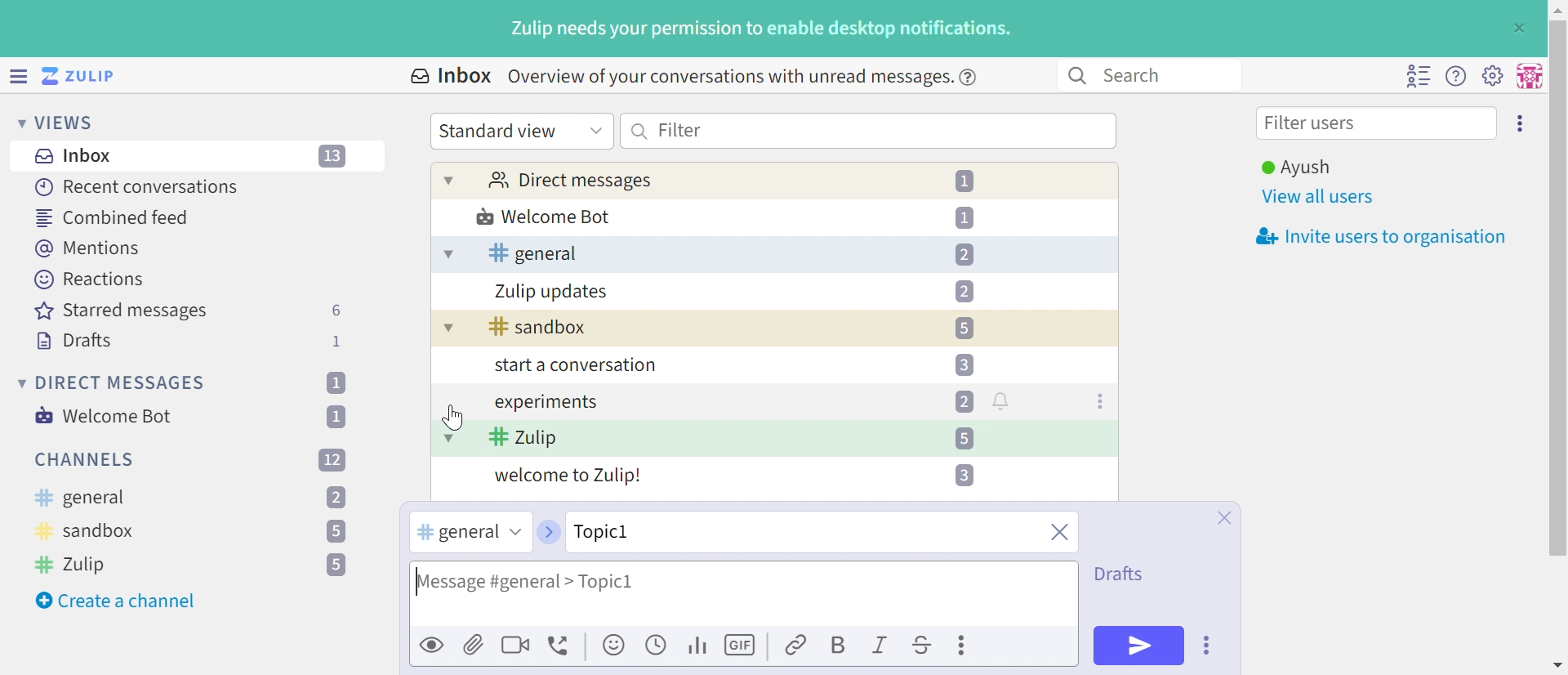  Describe the element at coordinates (964, 401) in the screenshot. I see `2` at that location.